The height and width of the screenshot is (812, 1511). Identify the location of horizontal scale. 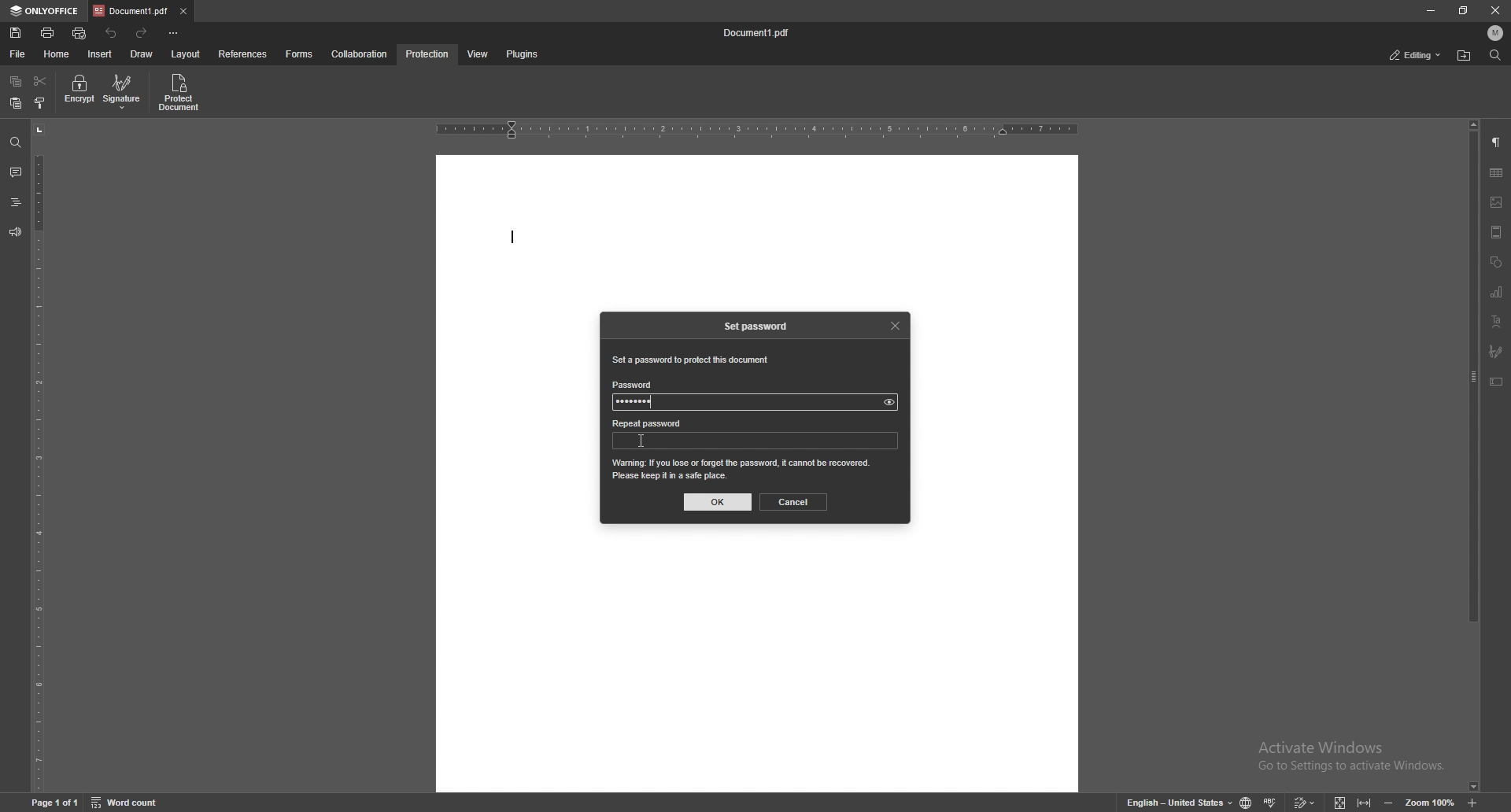
(756, 129).